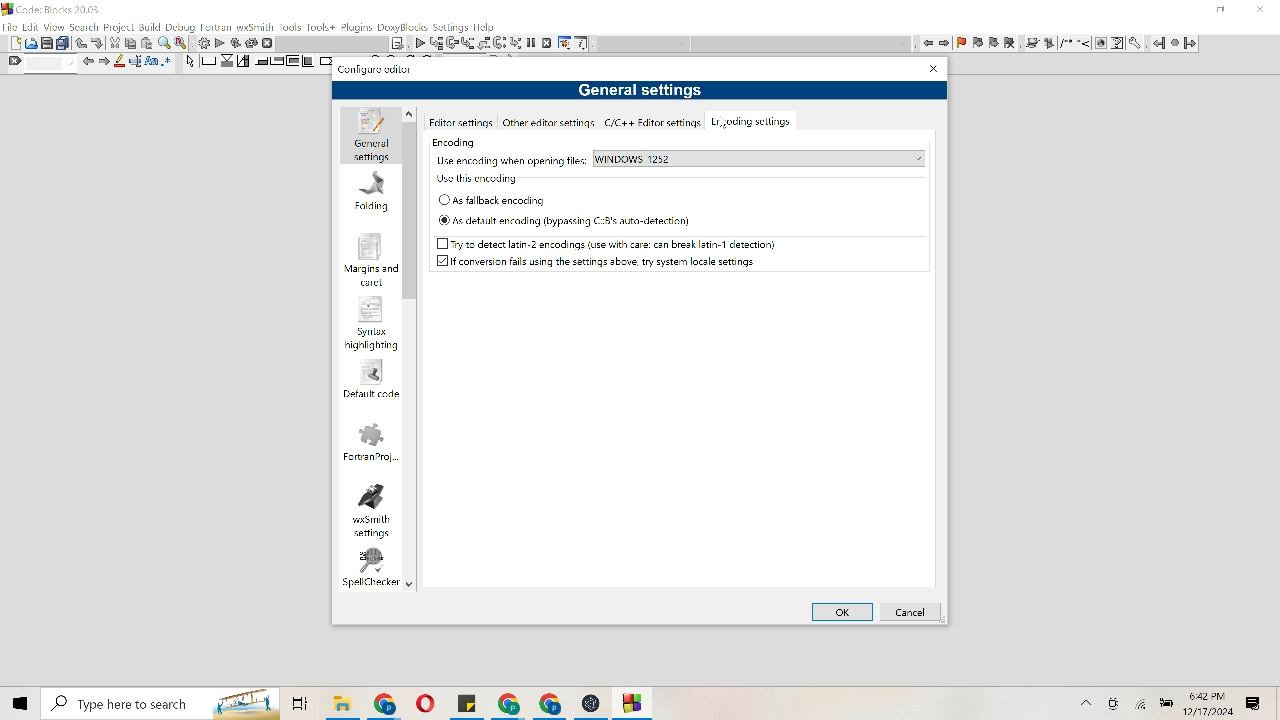 The height and width of the screenshot is (720, 1280). Describe the element at coordinates (19, 702) in the screenshot. I see `Windows` at that location.